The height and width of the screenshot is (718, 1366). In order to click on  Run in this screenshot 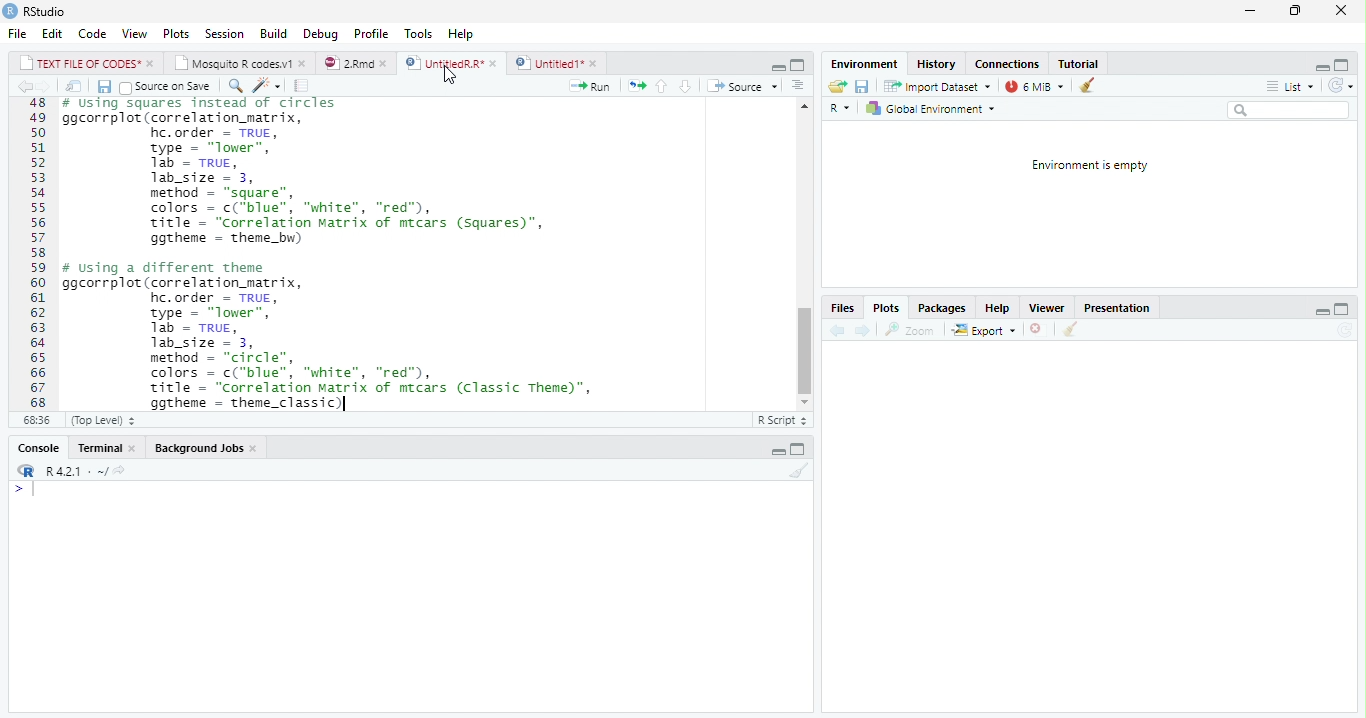, I will do `click(590, 87)`.